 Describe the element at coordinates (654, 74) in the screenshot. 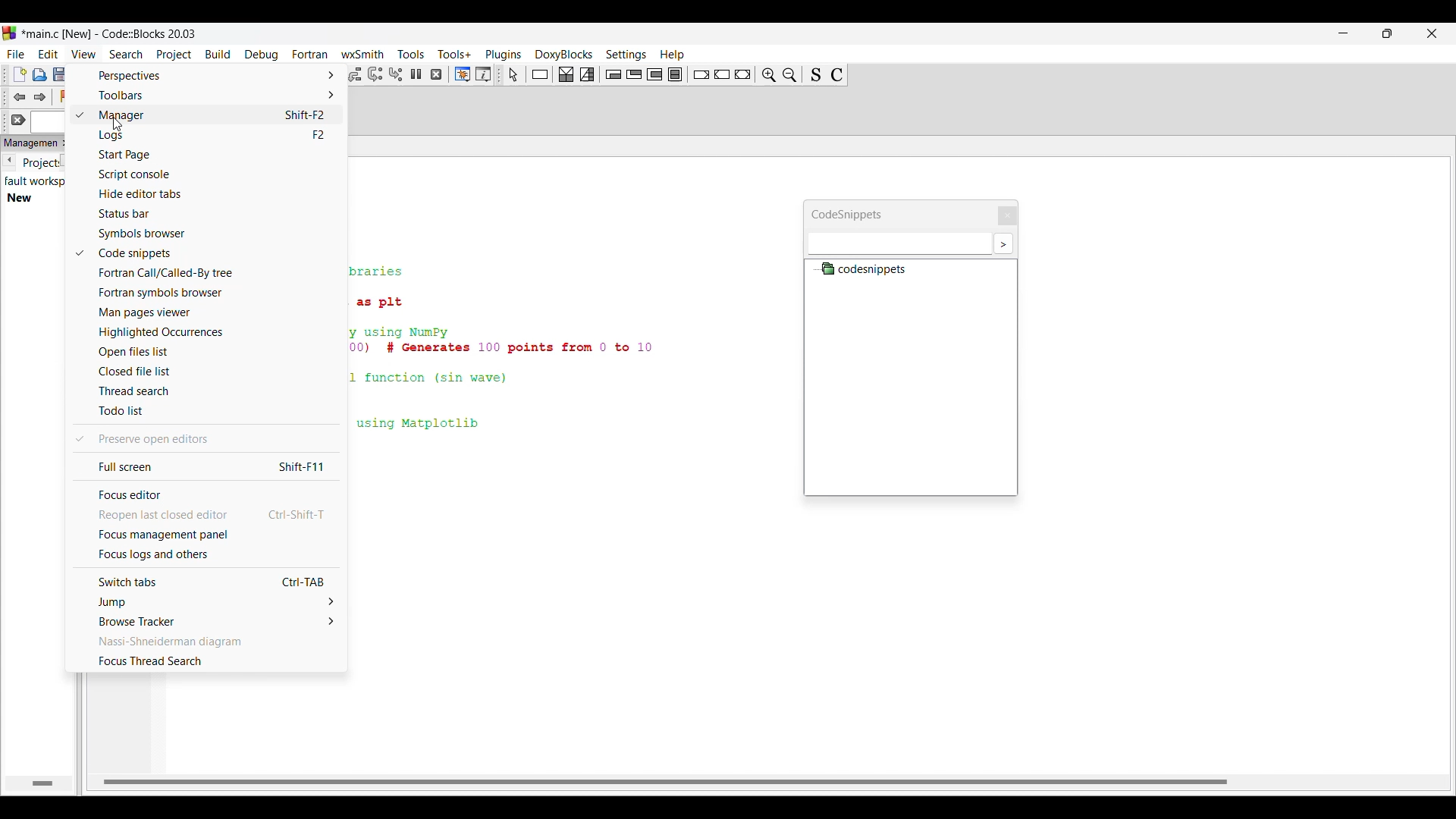

I see `Counting loop` at that location.